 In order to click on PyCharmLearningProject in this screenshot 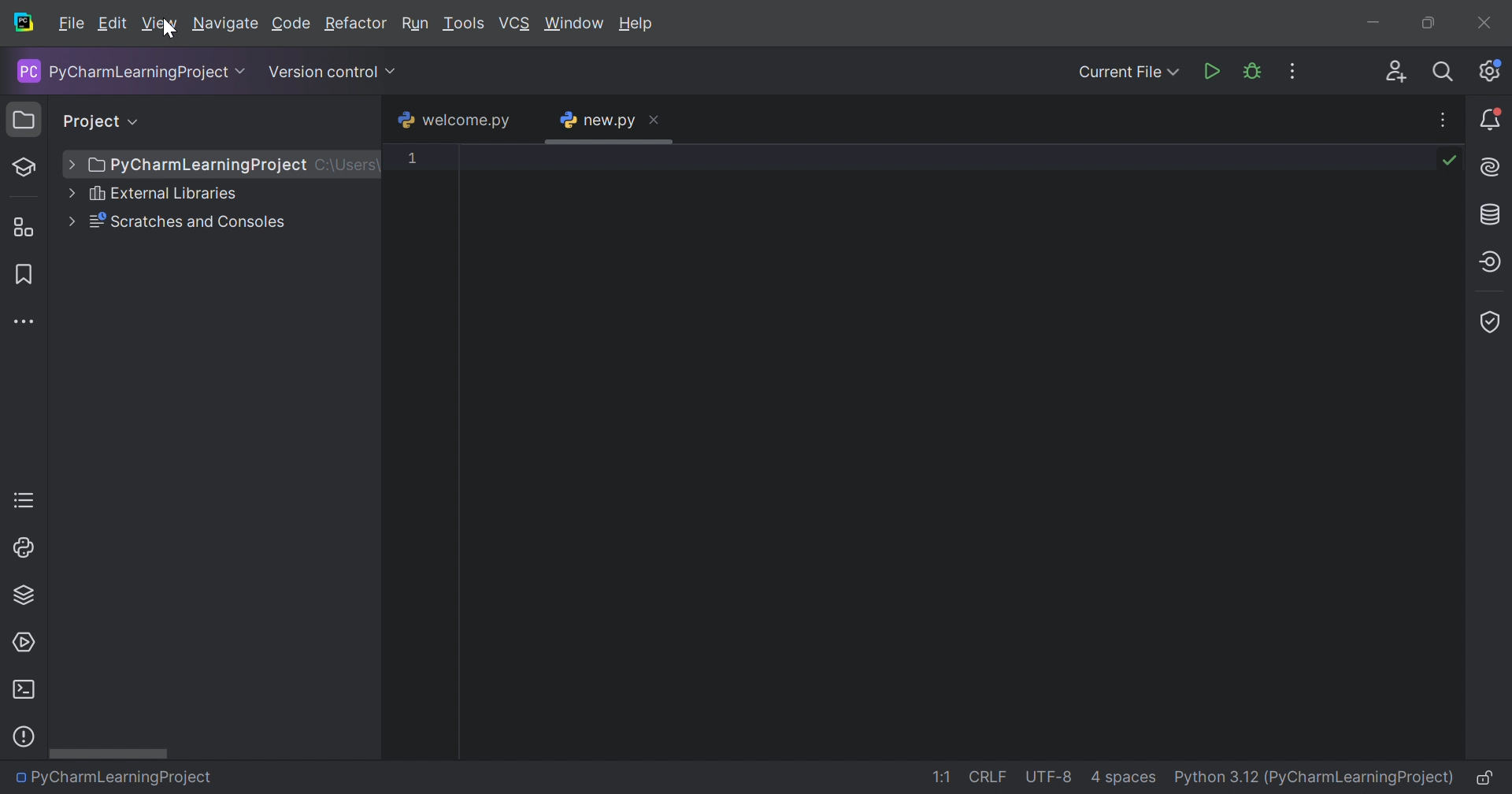, I will do `click(130, 72)`.